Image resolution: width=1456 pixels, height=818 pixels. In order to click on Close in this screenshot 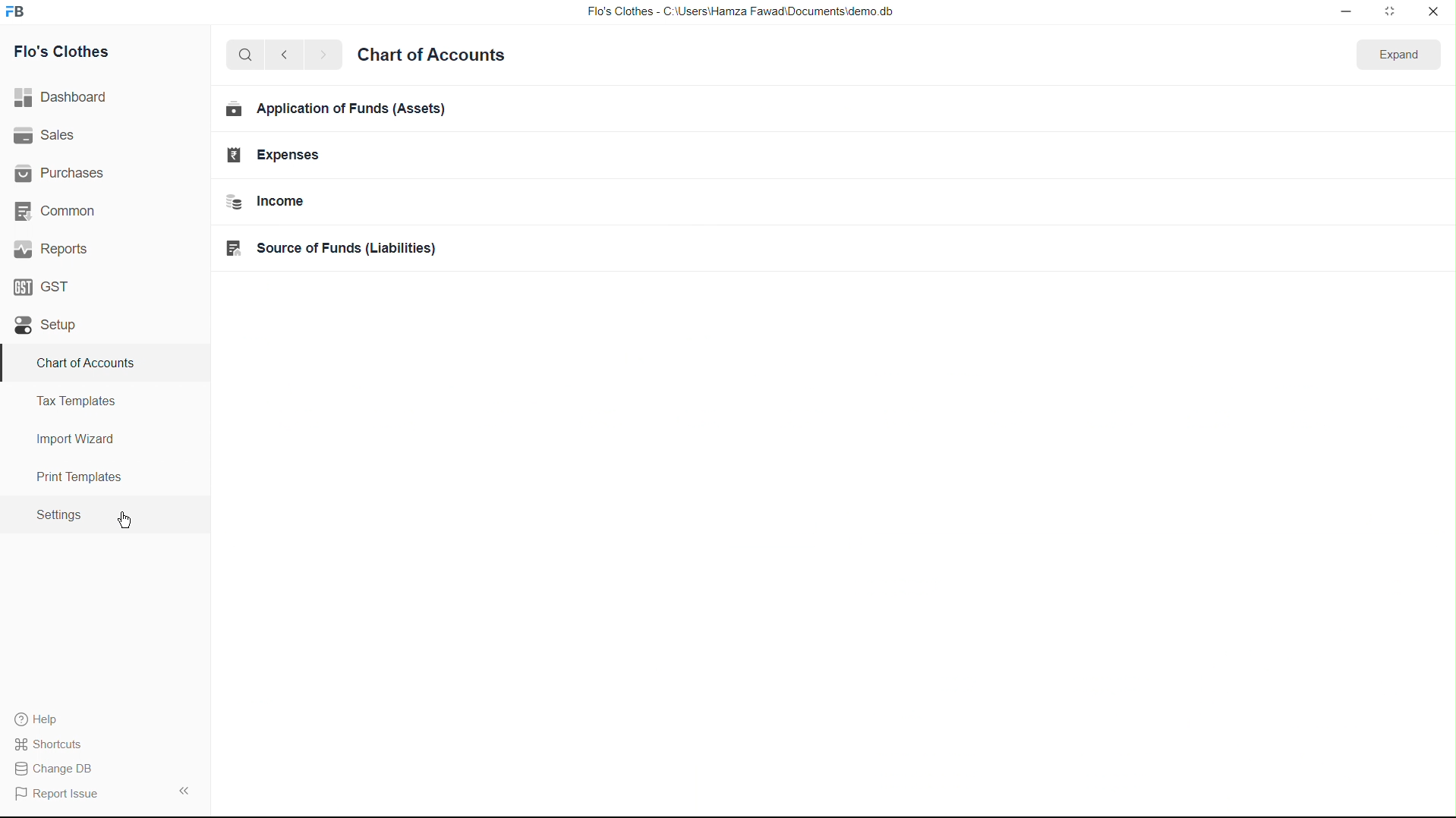, I will do `click(1433, 13)`.